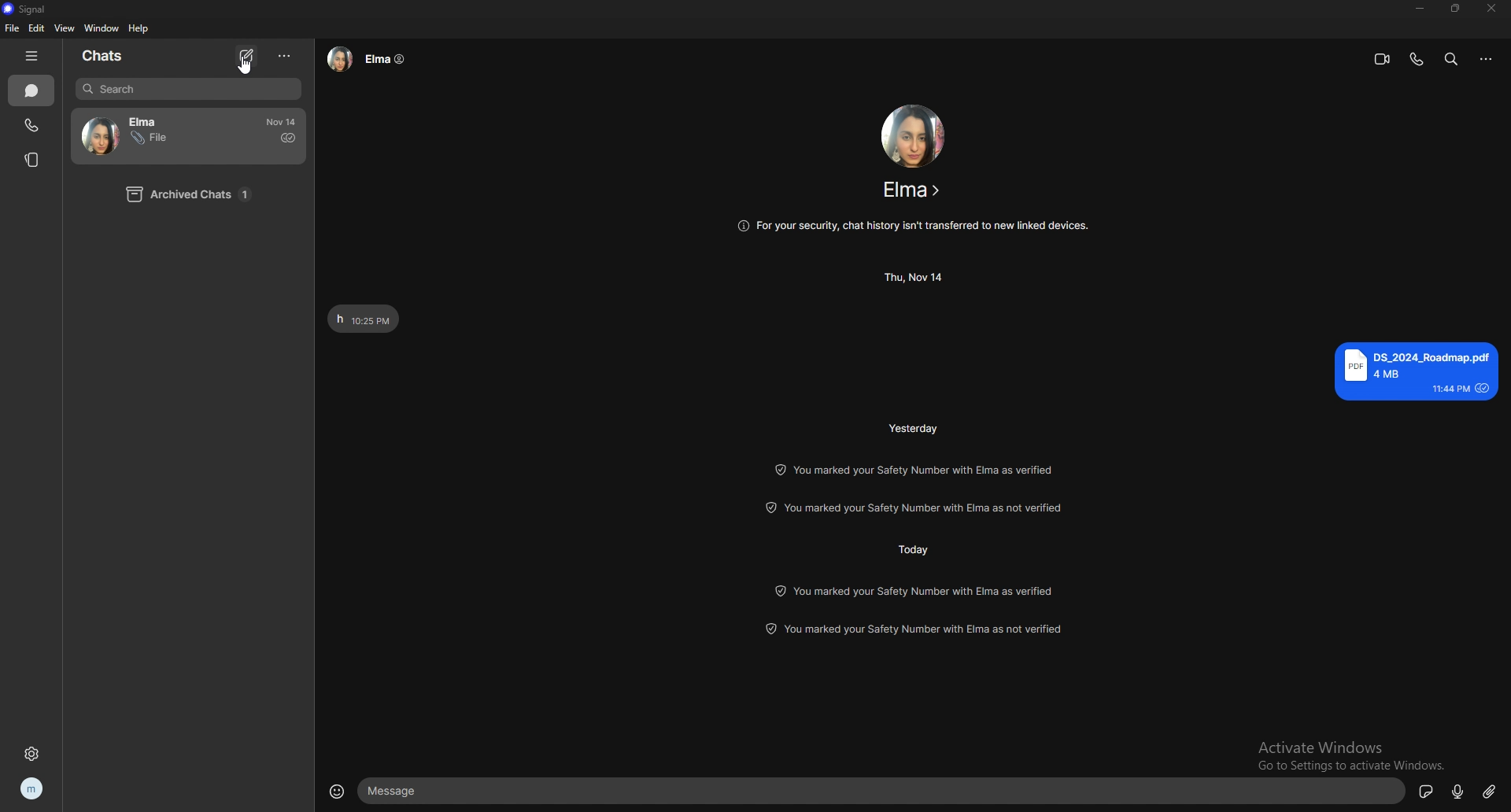  What do you see at coordinates (917, 590) in the screenshot?
I see `update` at bounding box center [917, 590].